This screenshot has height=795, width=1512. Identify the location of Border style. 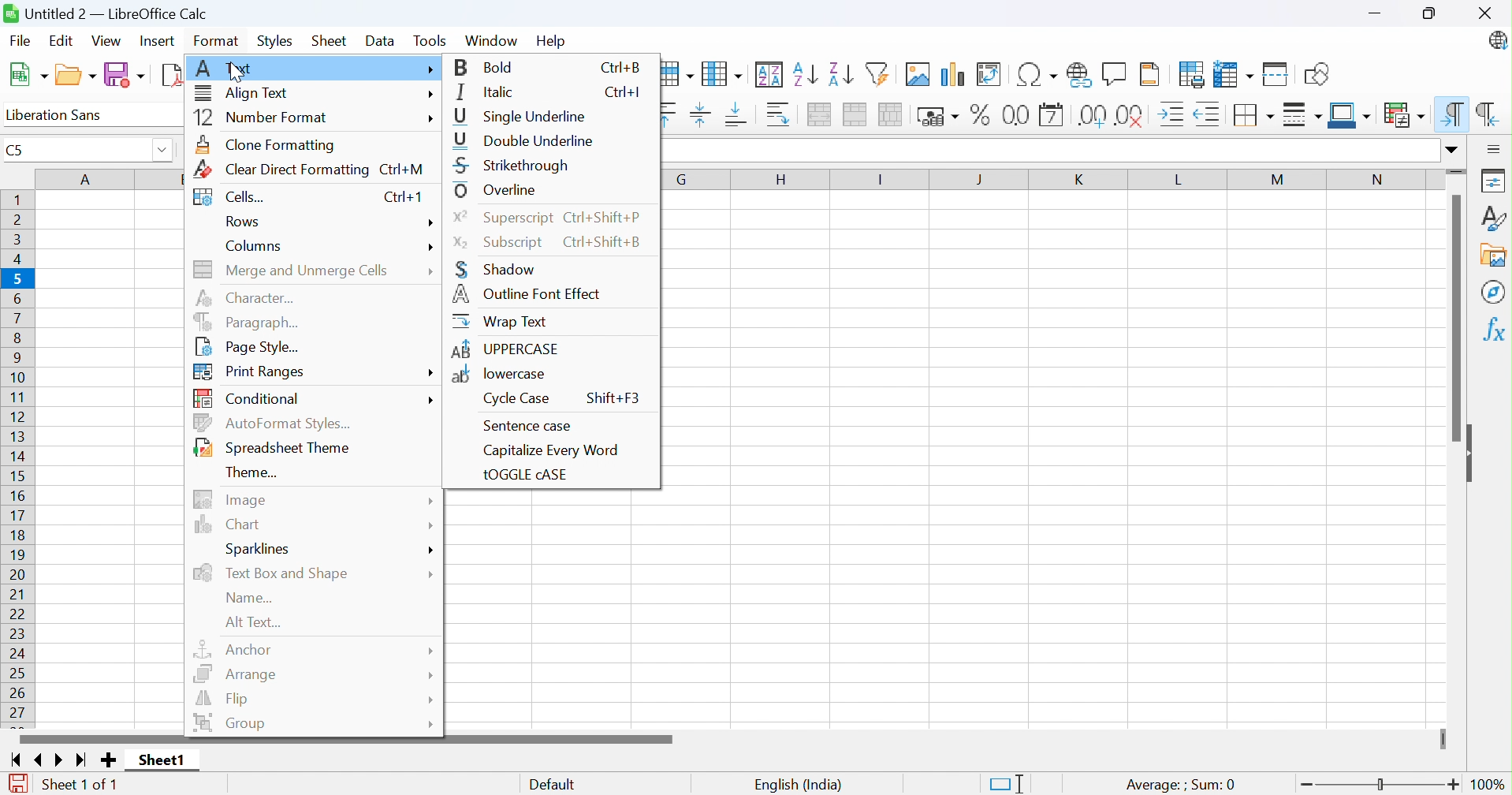
(1302, 114).